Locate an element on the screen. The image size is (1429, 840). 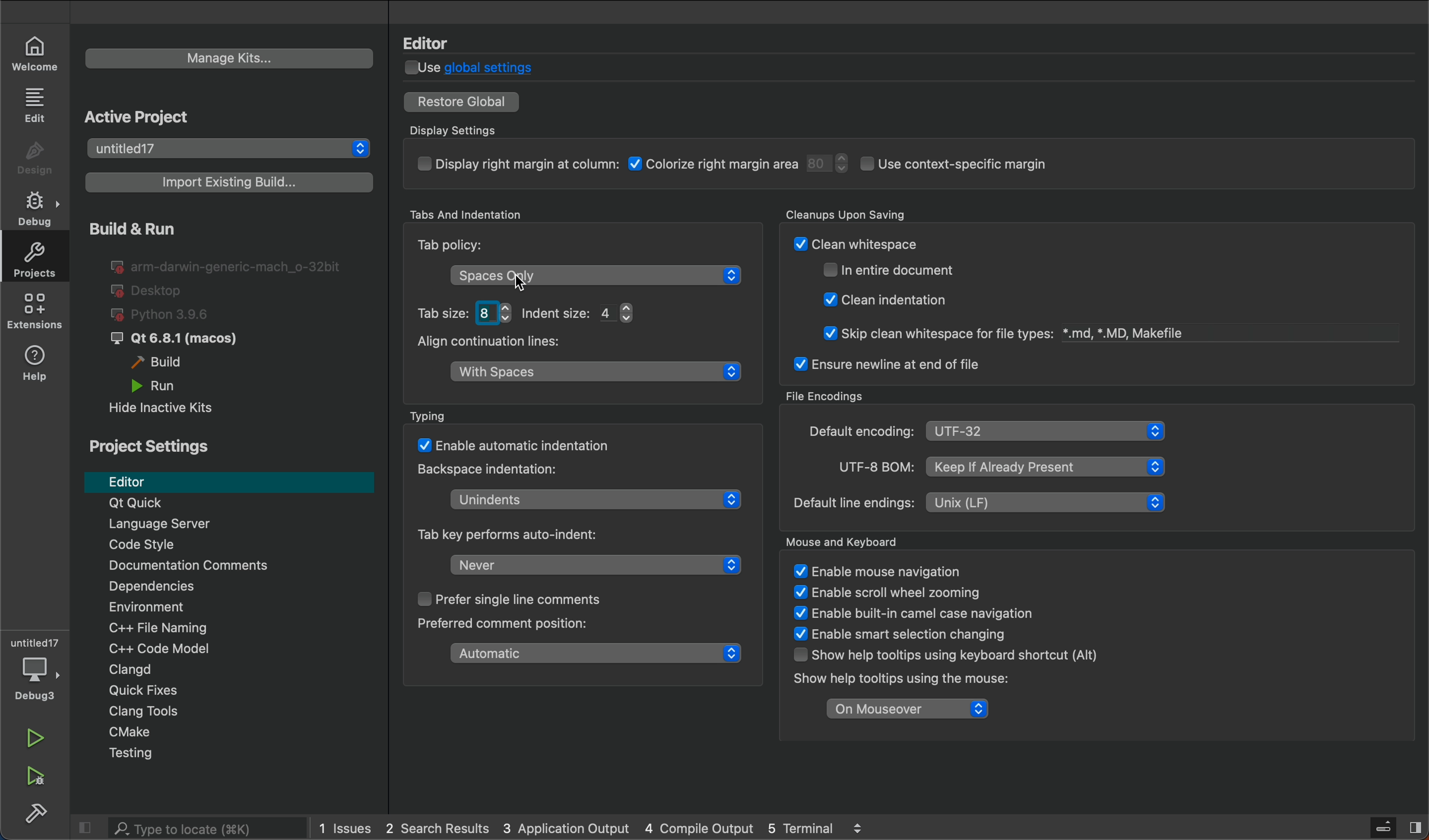
code modal is located at coordinates (241, 650).